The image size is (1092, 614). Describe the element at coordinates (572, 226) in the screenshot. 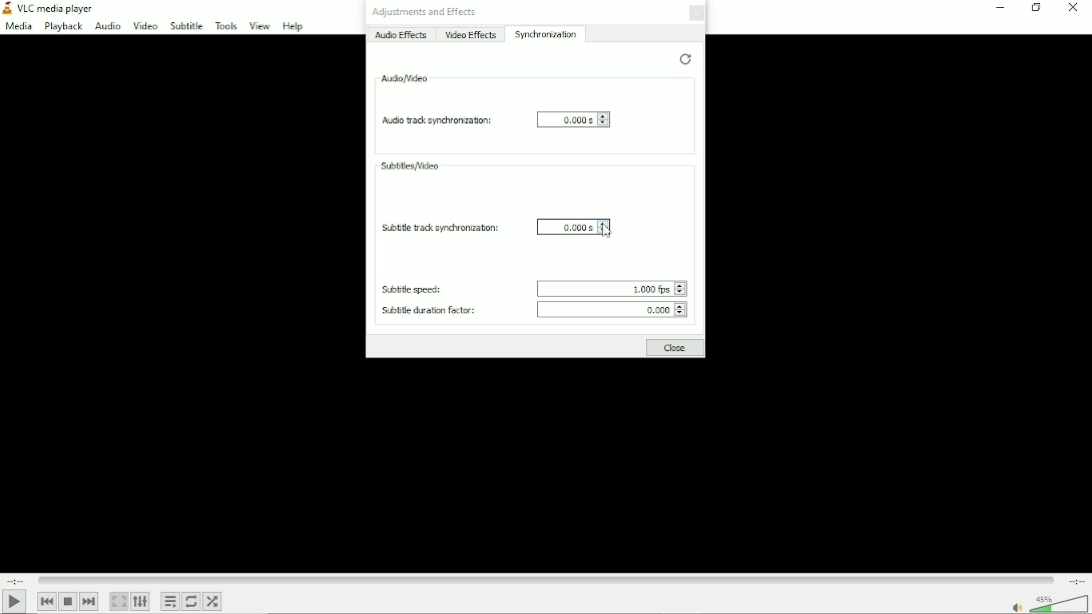

I see `0.000 s` at that location.